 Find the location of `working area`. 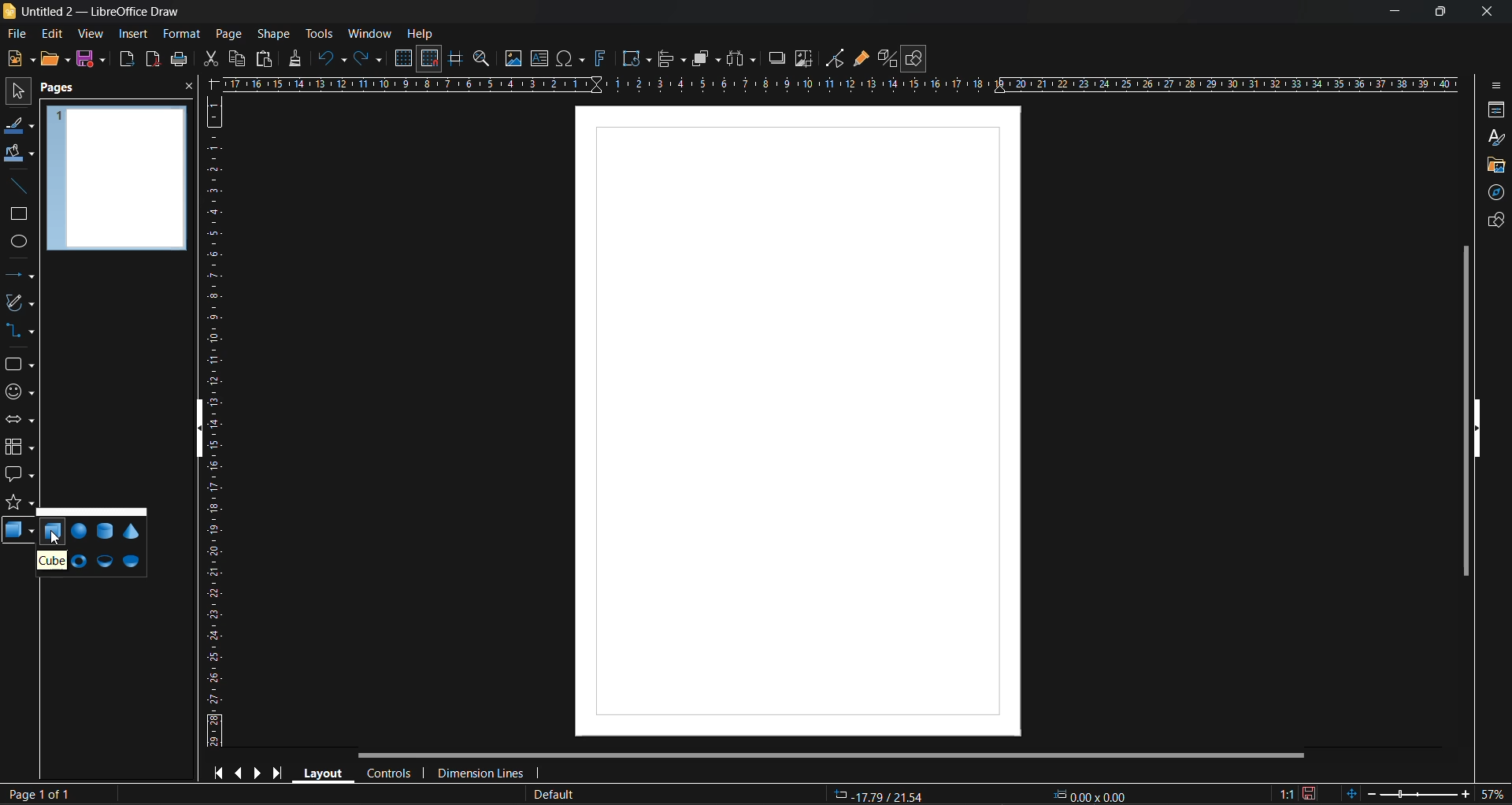

working area is located at coordinates (797, 419).